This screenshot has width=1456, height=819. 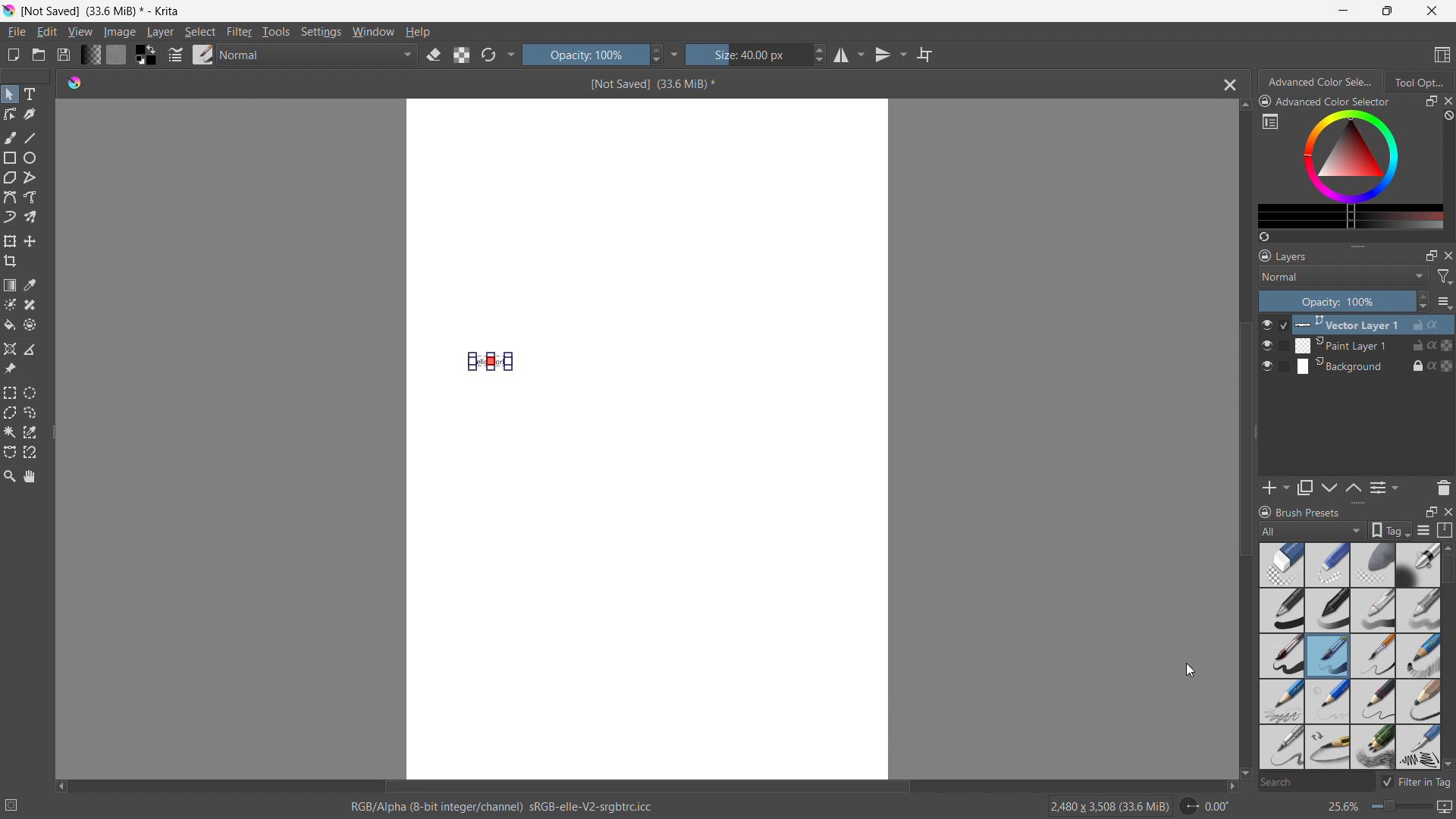 I want to click on file, so click(x=16, y=32).